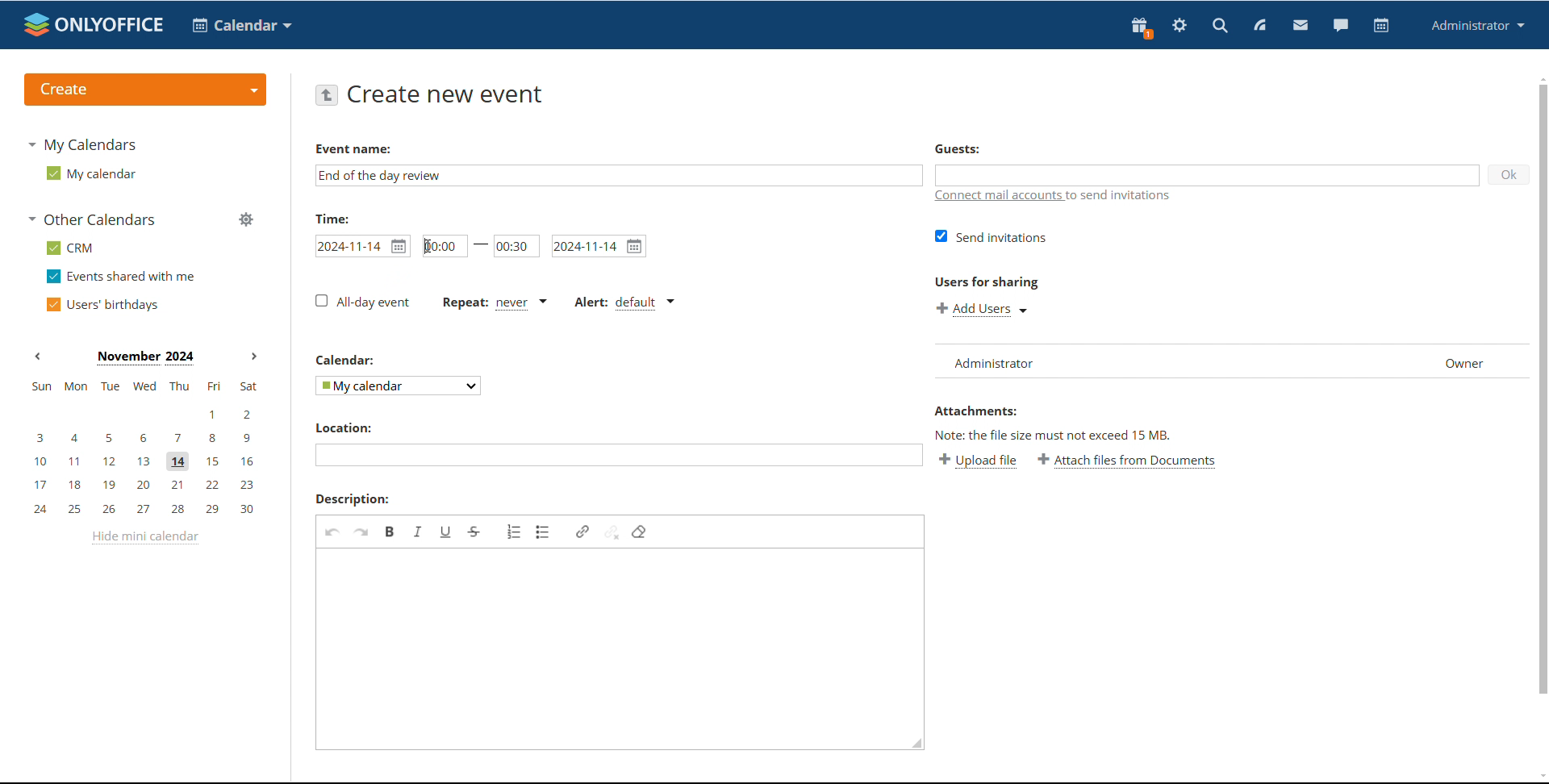  Describe the element at coordinates (81, 144) in the screenshot. I see `my calendars` at that location.